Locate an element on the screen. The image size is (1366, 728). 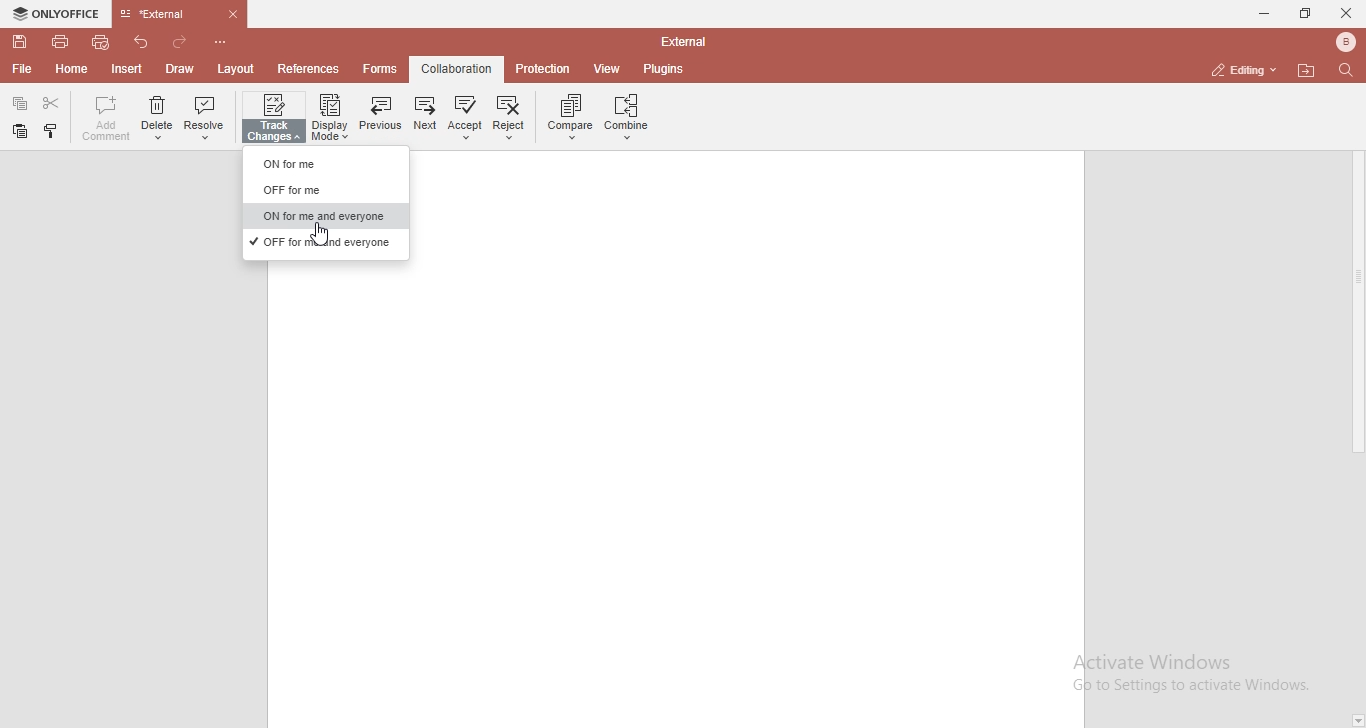
resolve is located at coordinates (205, 121).